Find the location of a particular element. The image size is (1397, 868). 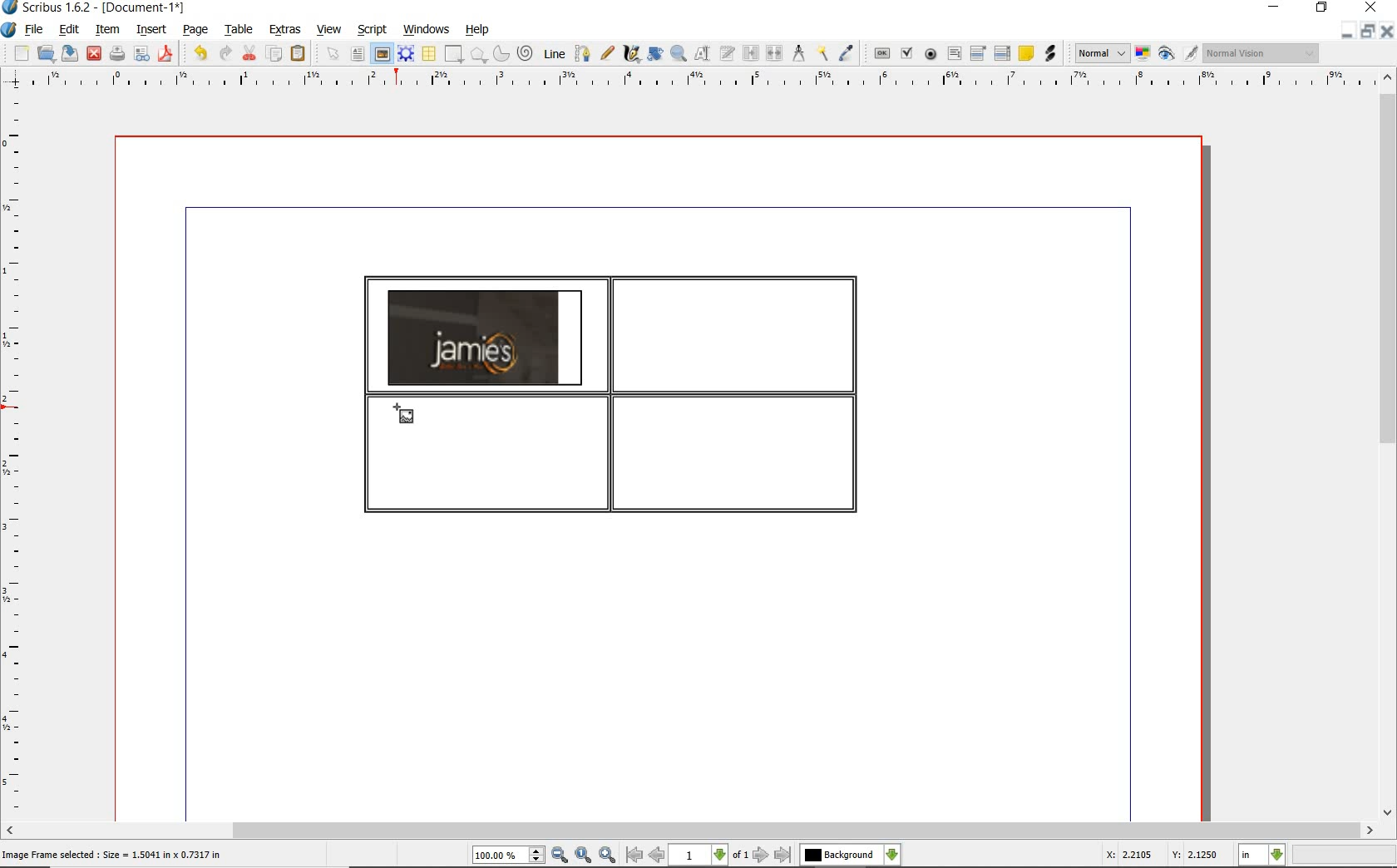

go to next page is located at coordinates (761, 855).